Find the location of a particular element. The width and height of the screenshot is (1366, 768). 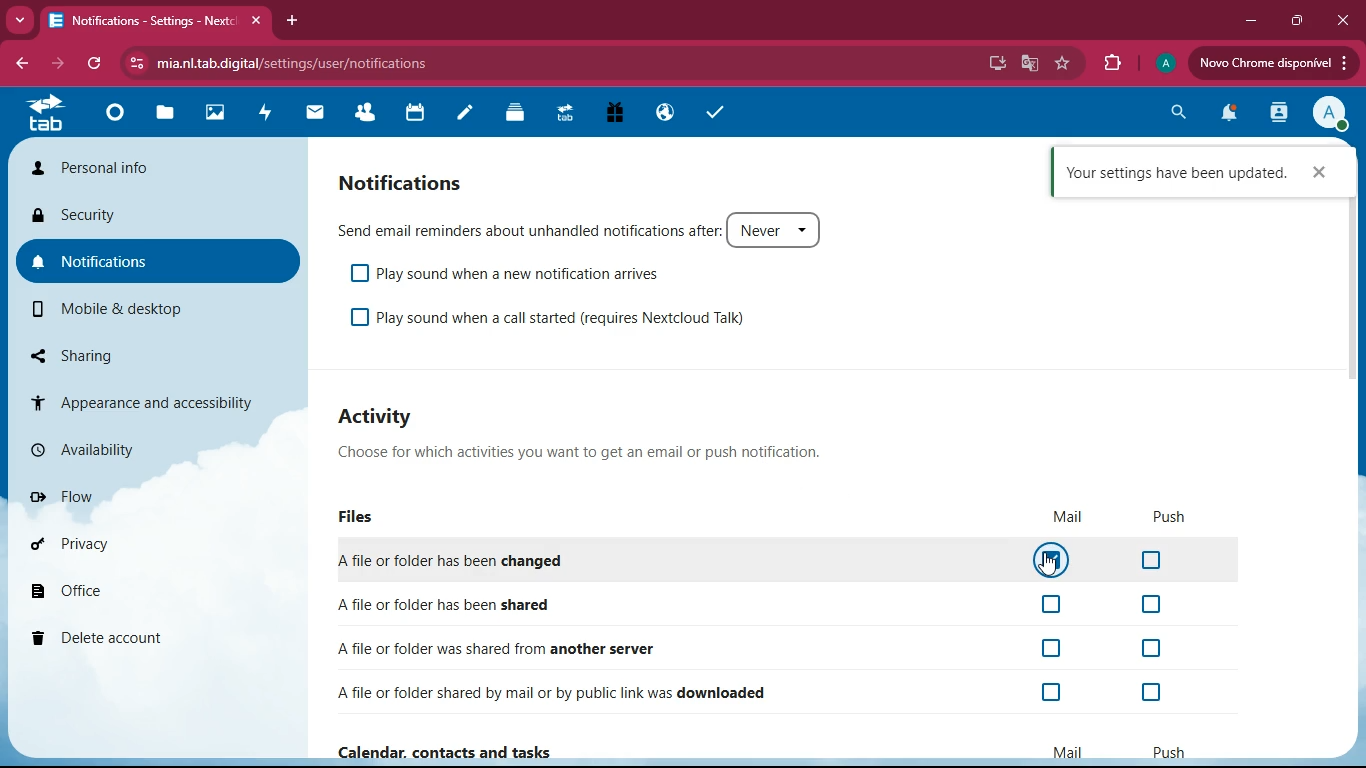

notifications is located at coordinates (150, 262).